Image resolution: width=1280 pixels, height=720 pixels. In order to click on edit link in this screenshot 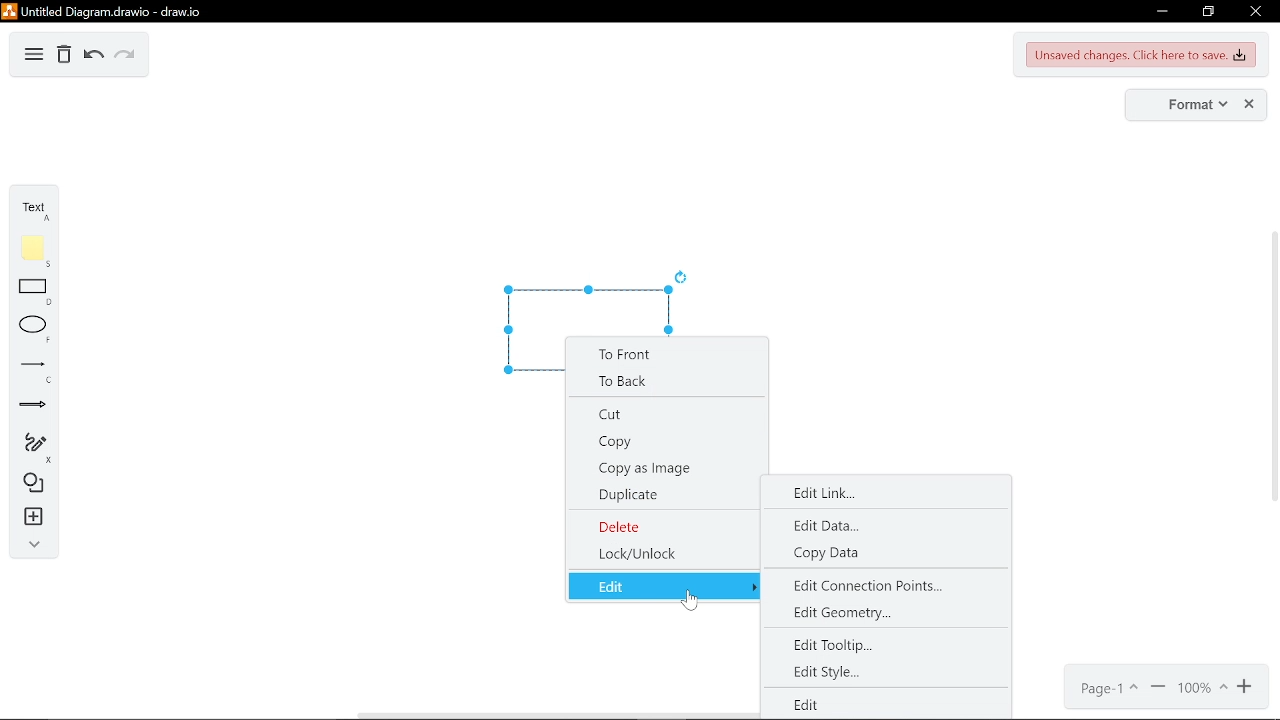, I will do `click(831, 492)`.